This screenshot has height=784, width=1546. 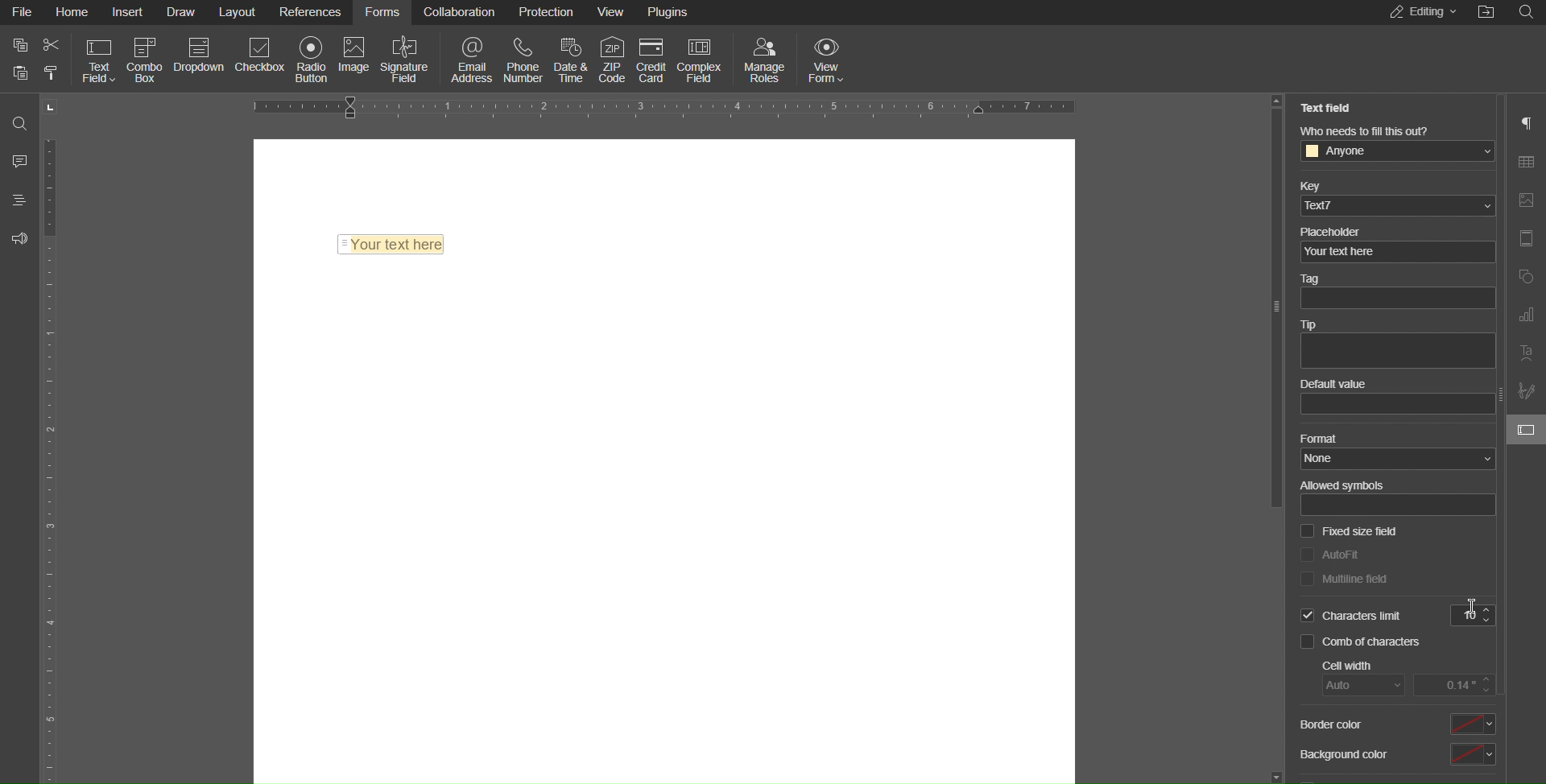 I want to click on Credit Card, so click(x=653, y=56).